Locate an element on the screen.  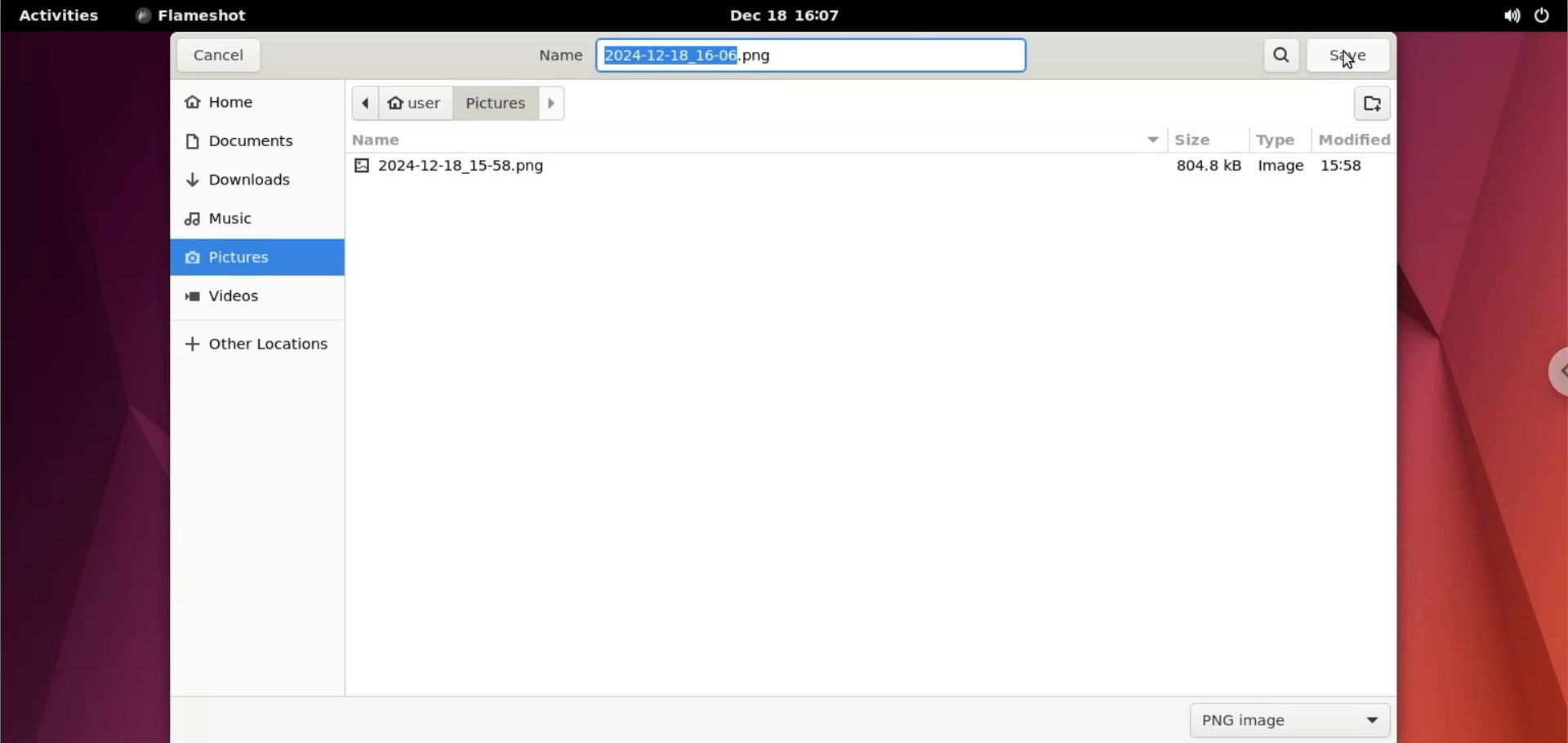
screenshot file name is located at coordinates (697, 56).